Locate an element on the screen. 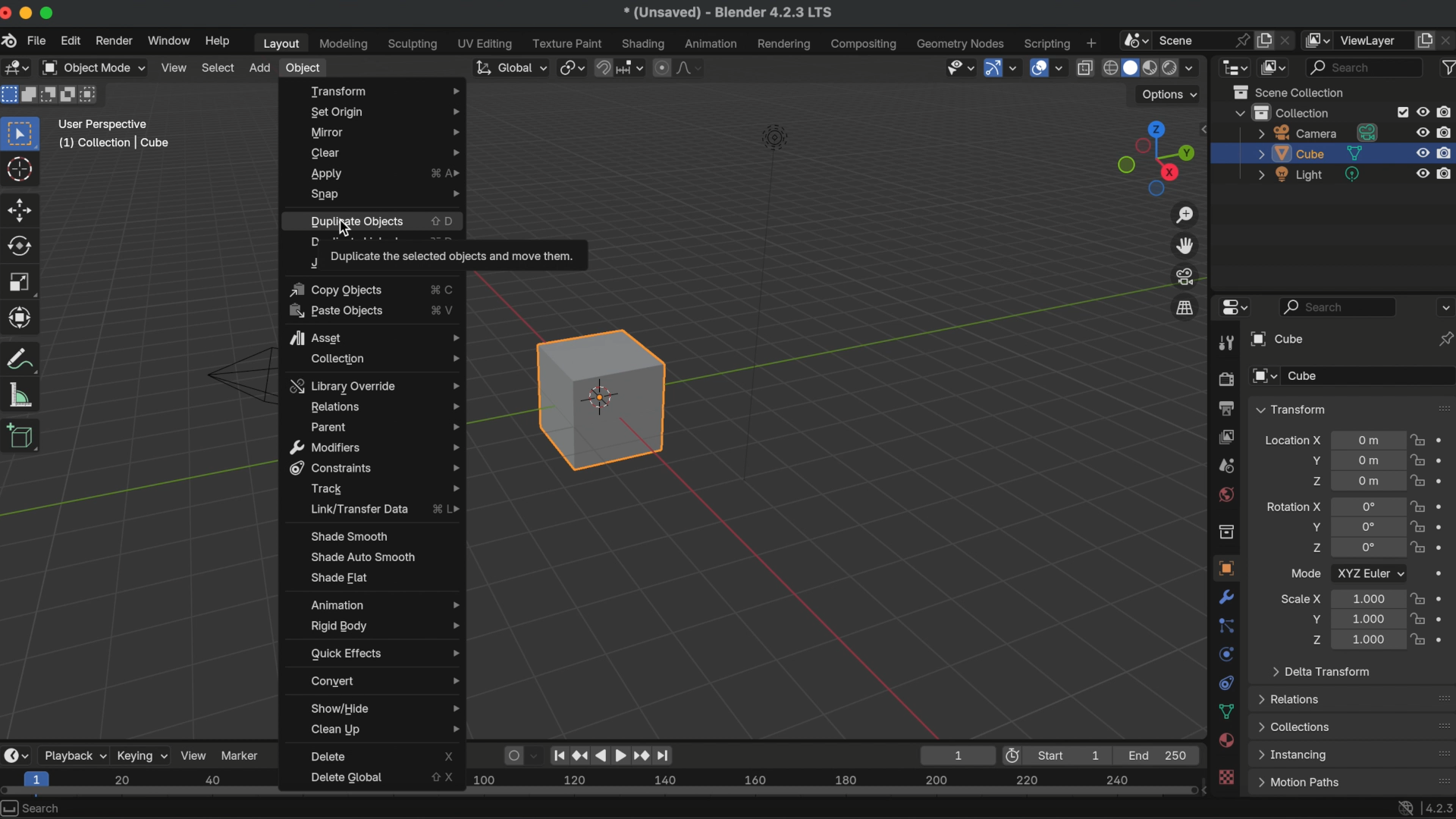 This screenshot has width=1456, height=819. browse object to be linked is located at coordinates (1265, 377).